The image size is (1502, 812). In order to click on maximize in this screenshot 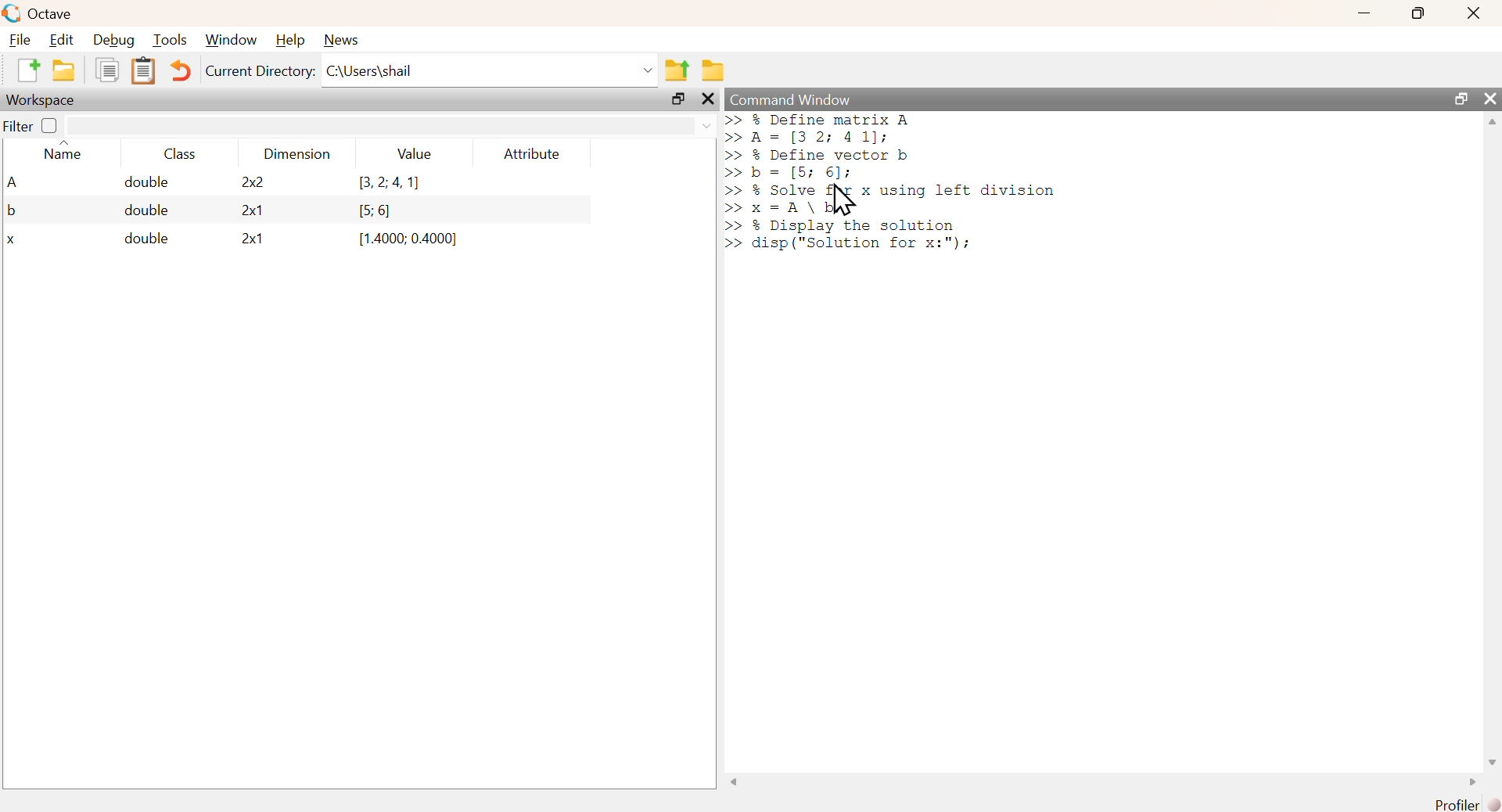, I will do `click(679, 99)`.